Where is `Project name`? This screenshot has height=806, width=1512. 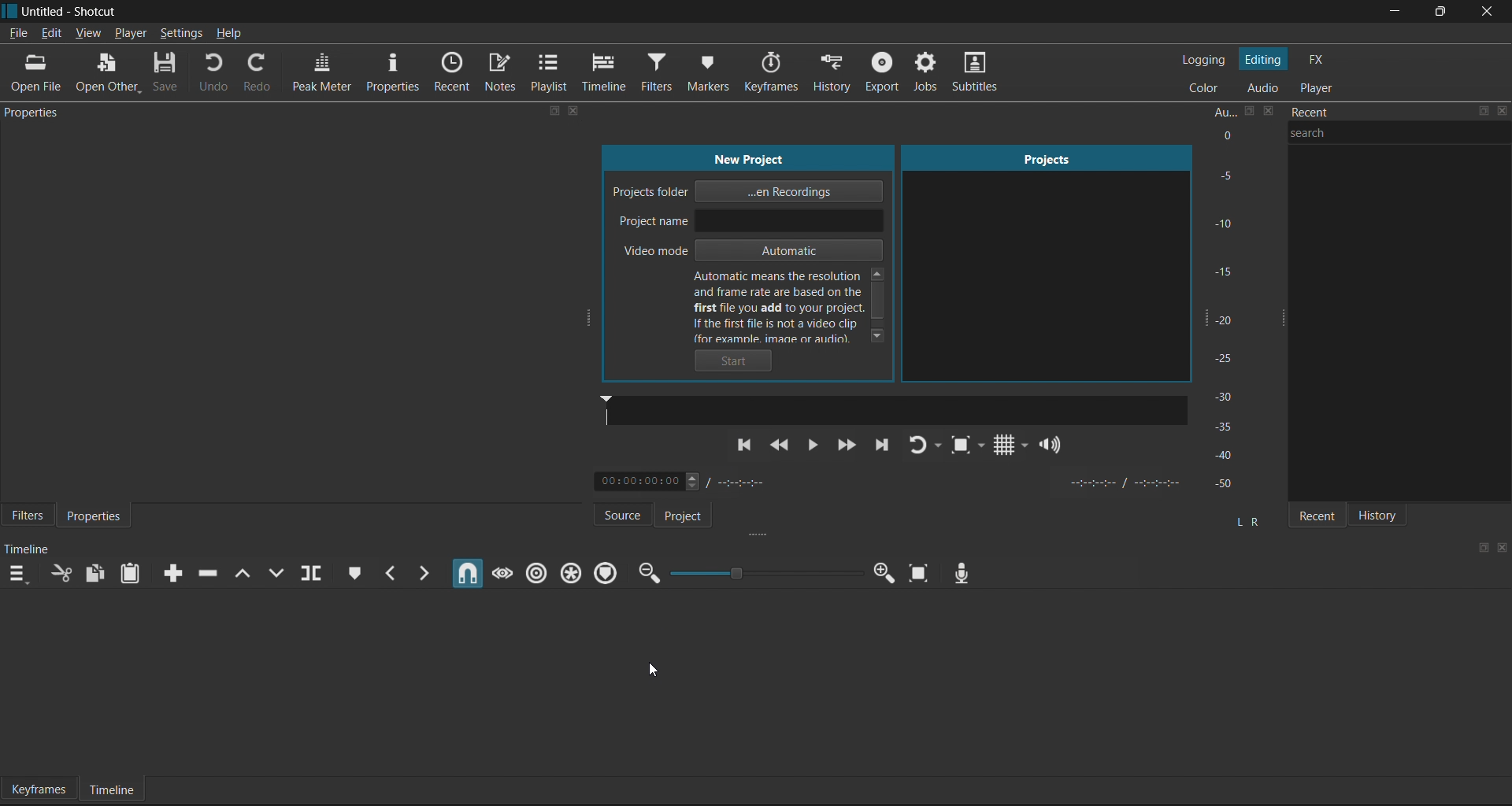 Project name is located at coordinates (750, 222).